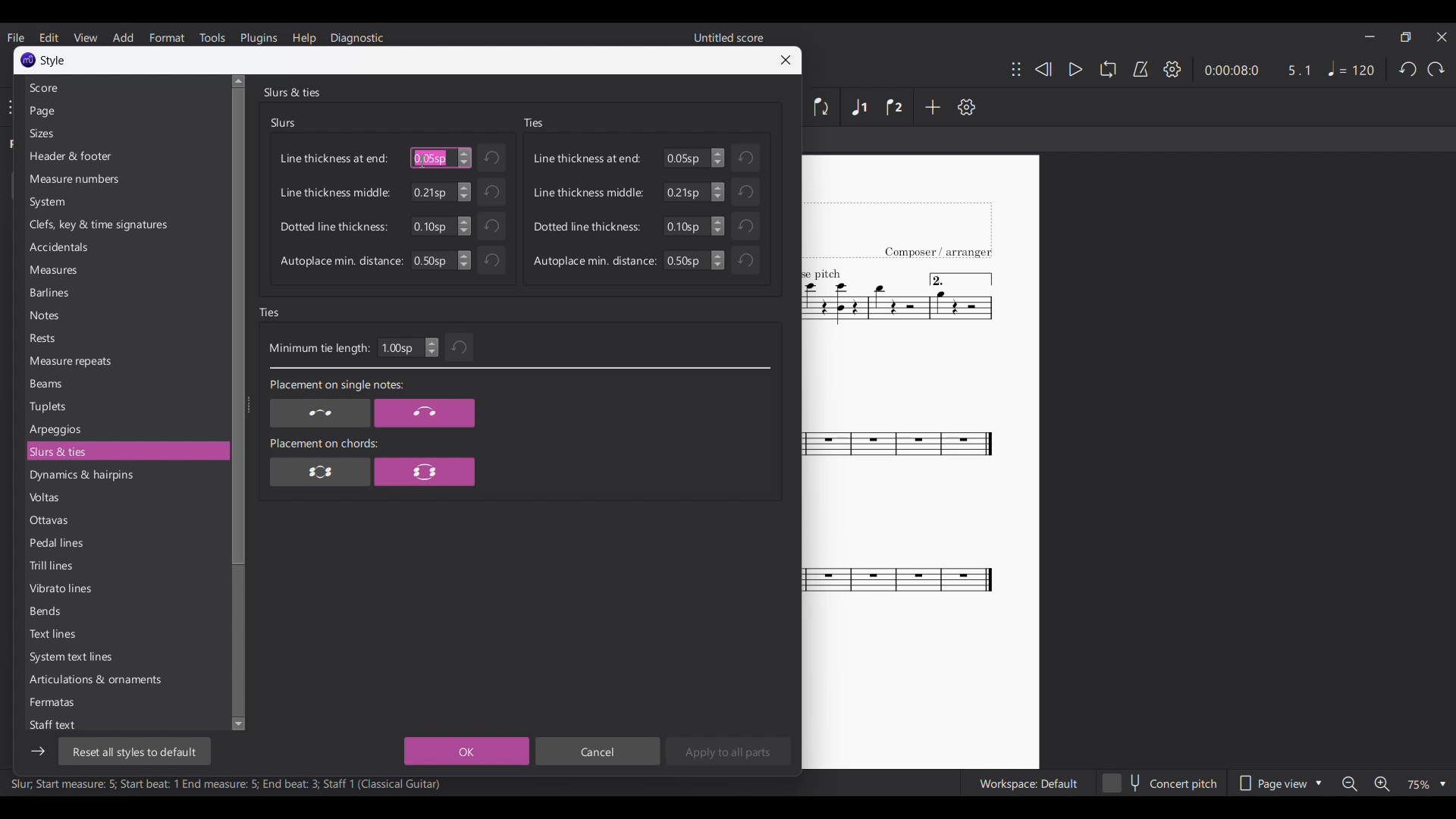 The image size is (1456, 819). I want to click on Input dotted line thinkness, so click(686, 226).